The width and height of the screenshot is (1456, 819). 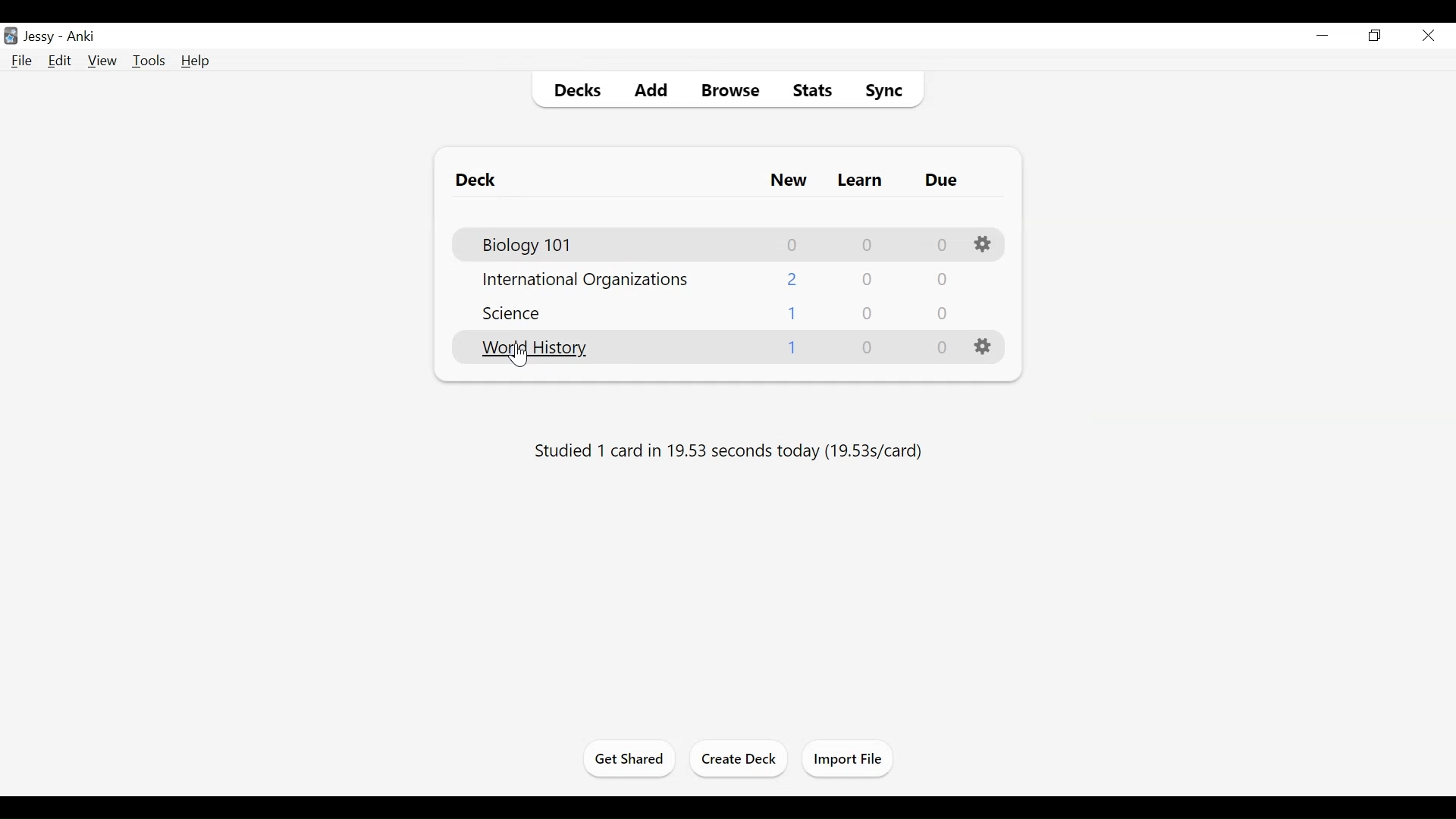 What do you see at coordinates (940, 278) in the screenshot?
I see `Due Cards Count` at bounding box center [940, 278].